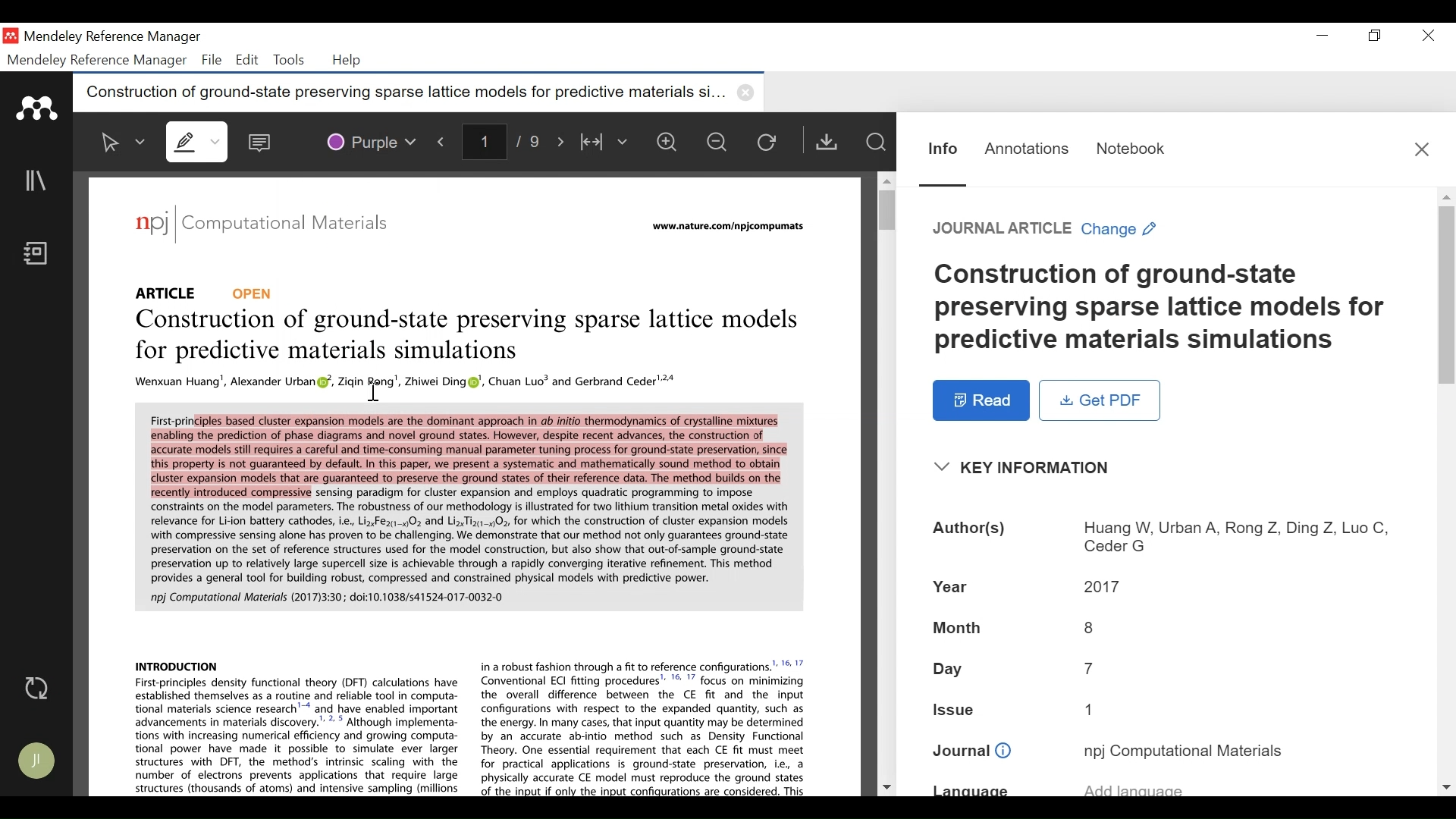  I want to click on Select Text, so click(120, 141).